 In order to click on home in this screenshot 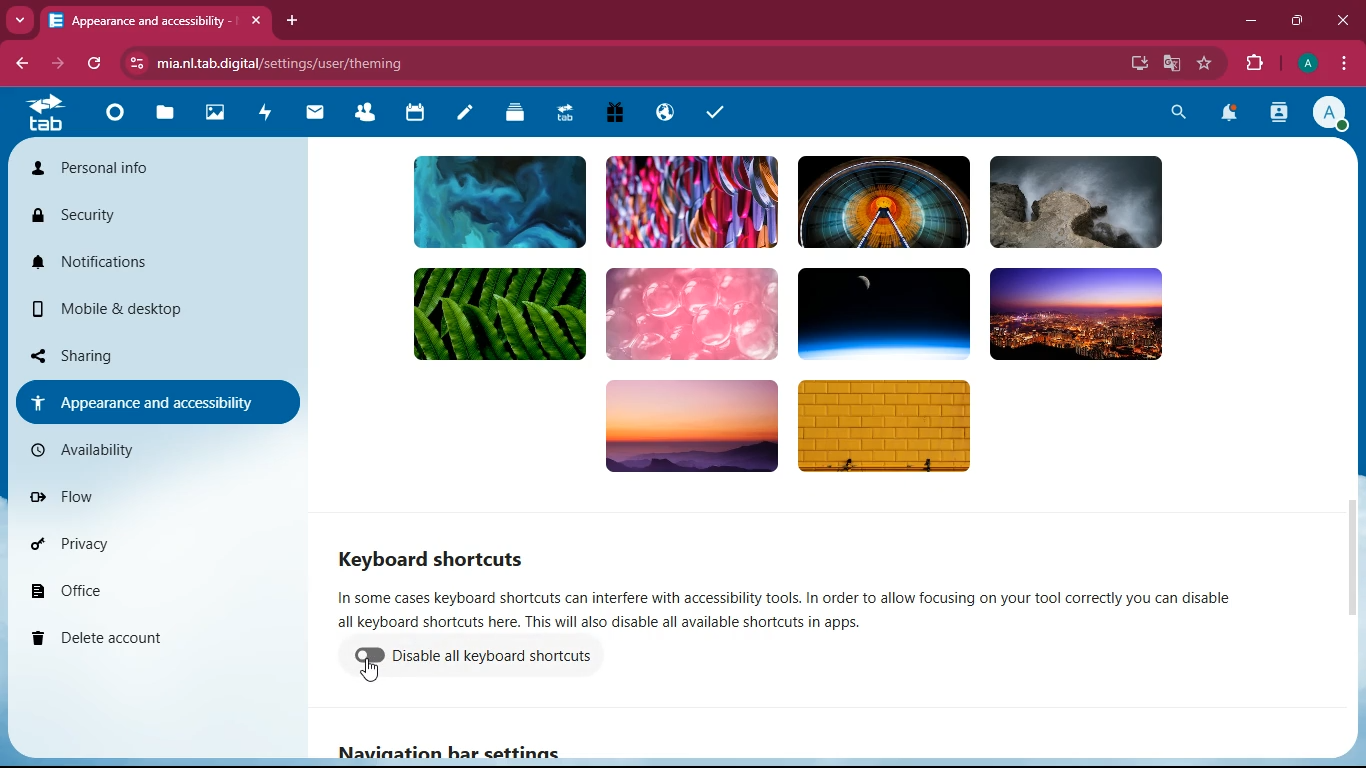, I will do `click(115, 122)`.